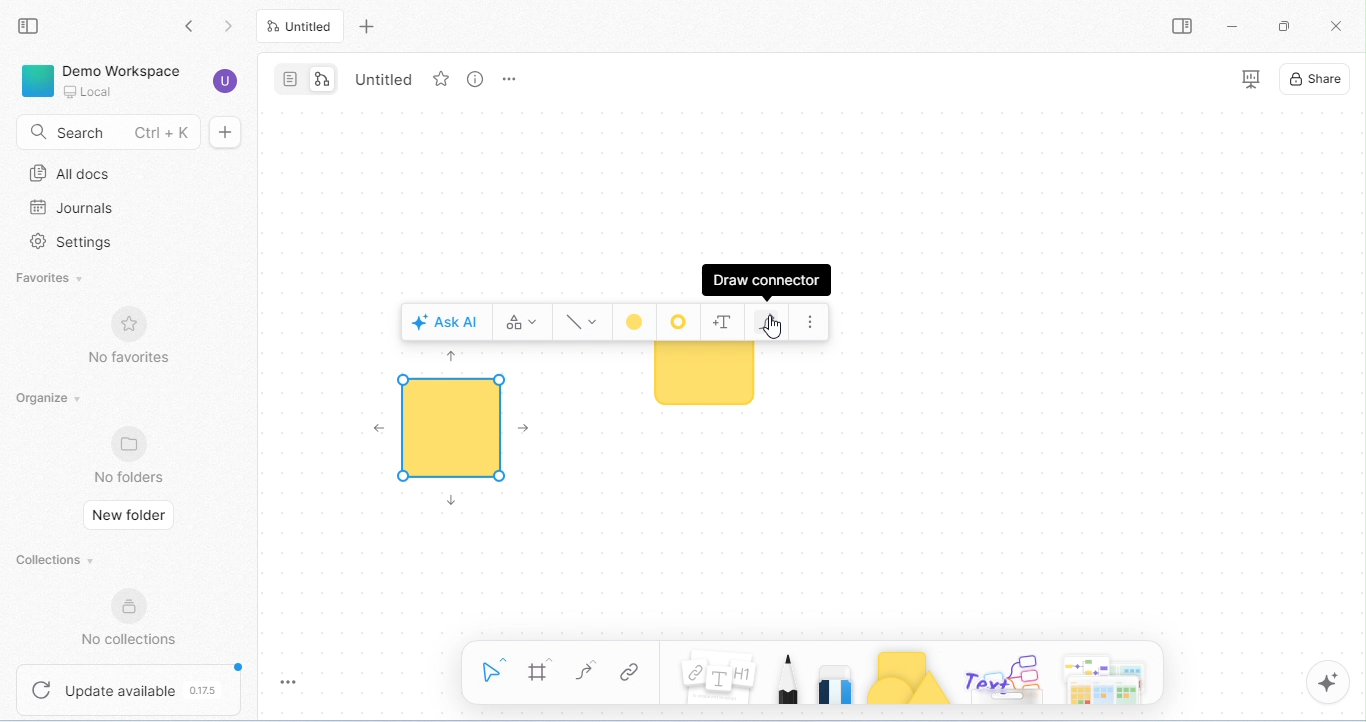 The height and width of the screenshot is (722, 1366). I want to click on no folders, so click(132, 455).